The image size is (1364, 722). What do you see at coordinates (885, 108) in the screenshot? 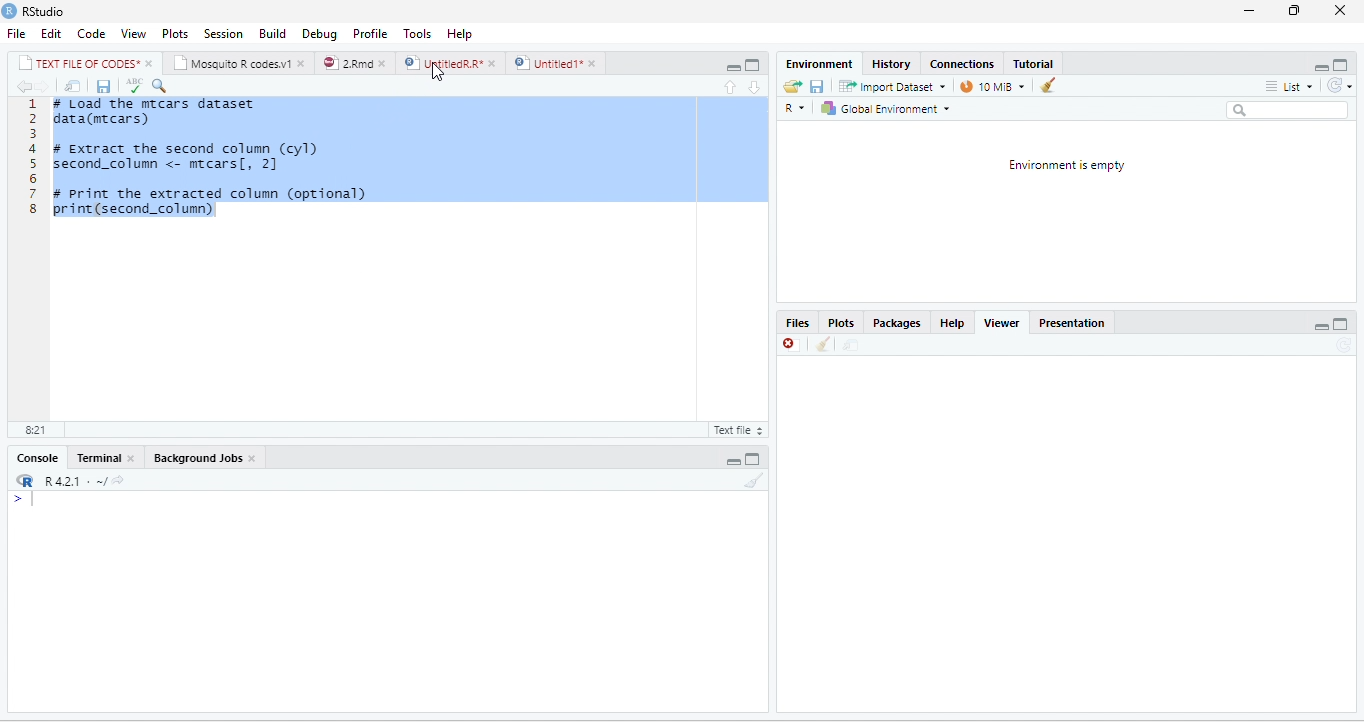
I see `| Global Environment =` at bounding box center [885, 108].